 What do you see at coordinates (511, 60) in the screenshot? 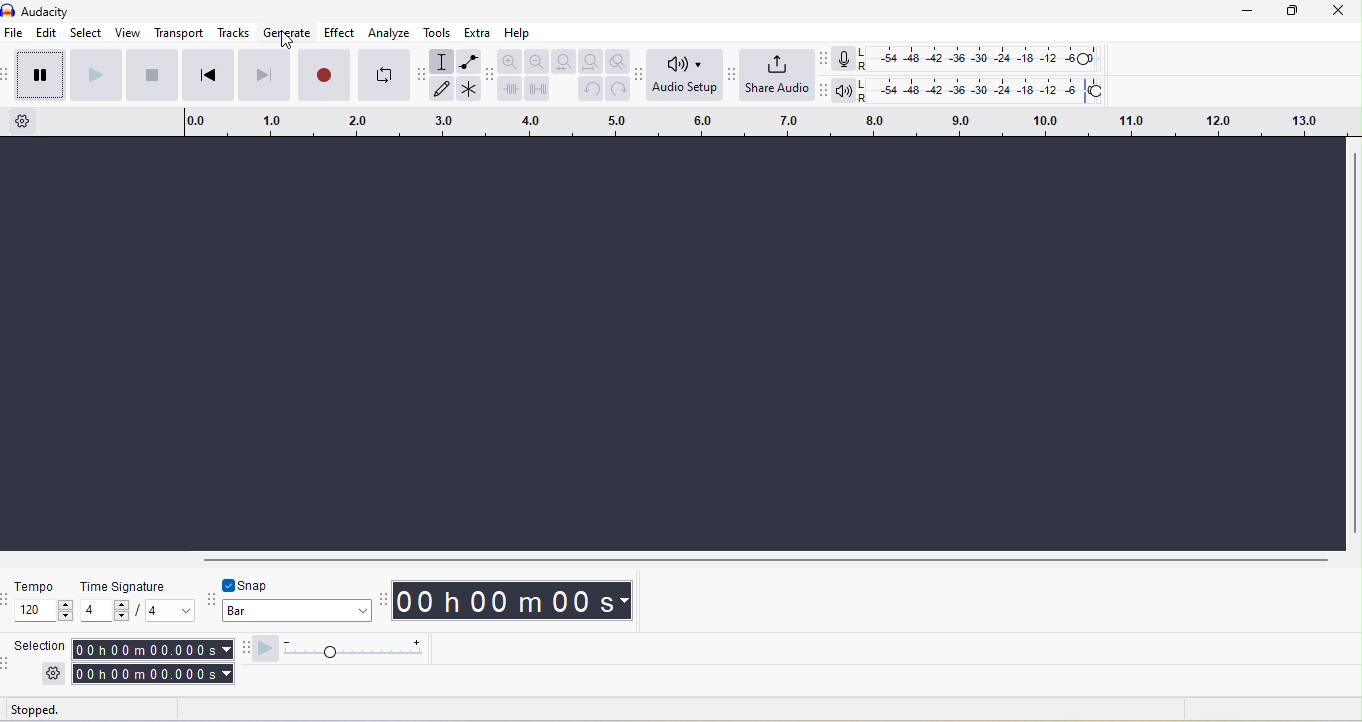
I see `zoom in ` at bounding box center [511, 60].